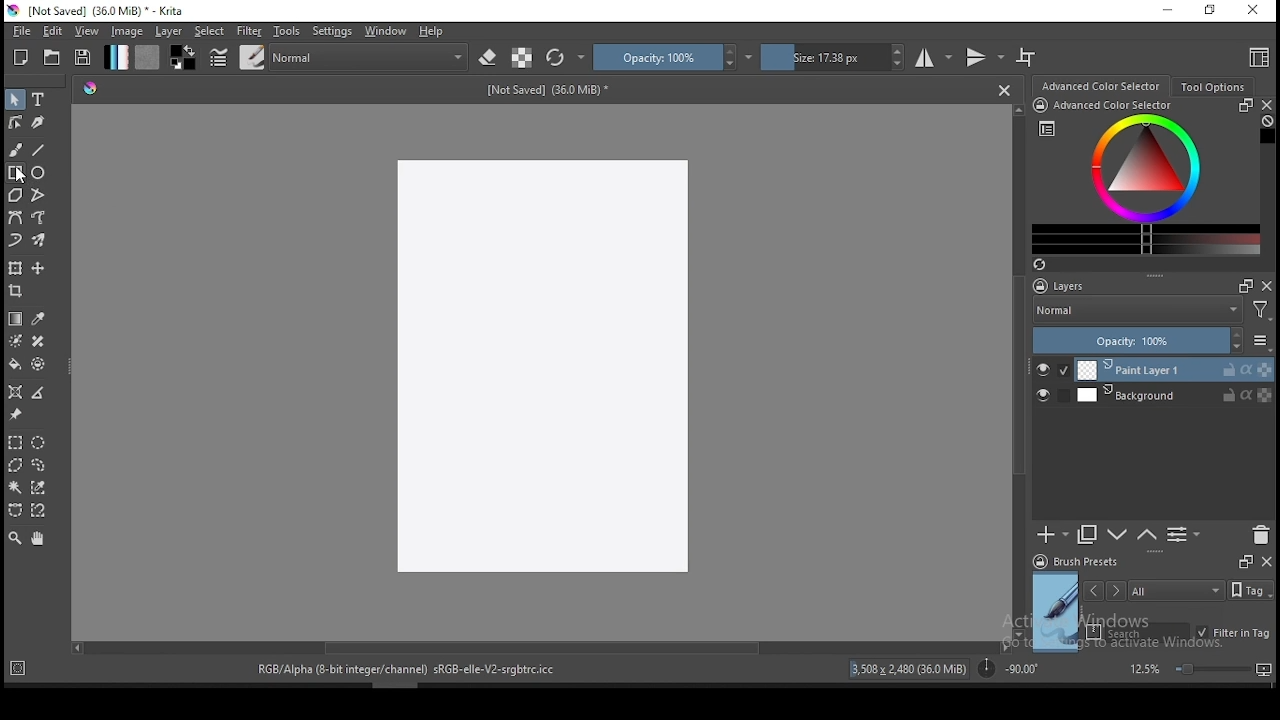  I want to click on layers, so click(1065, 287).